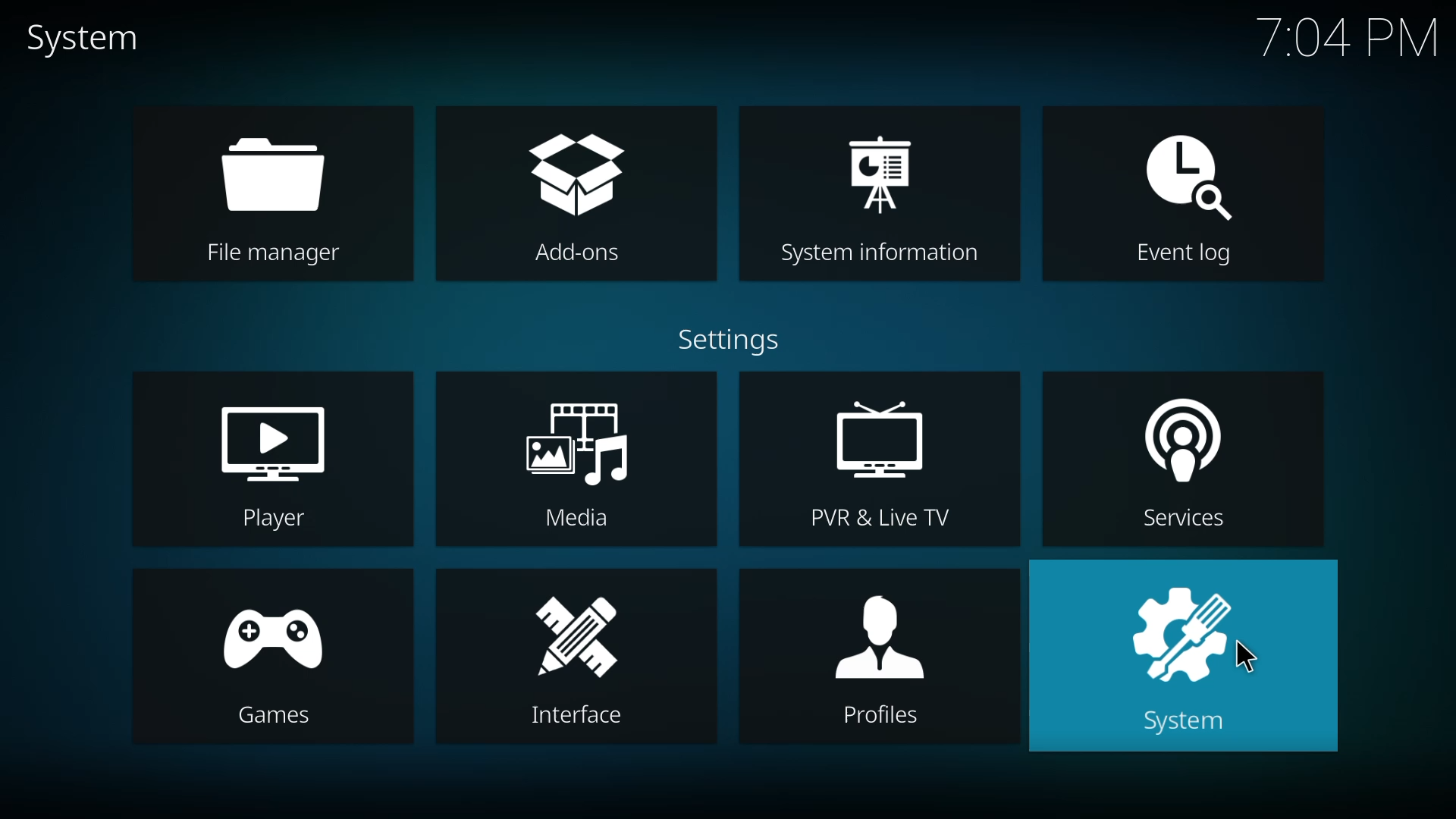 The width and height of the screenshot is (1456, 819). Describe the element at coordinates (274, 461) in the screenshot. I see `player` at that location.